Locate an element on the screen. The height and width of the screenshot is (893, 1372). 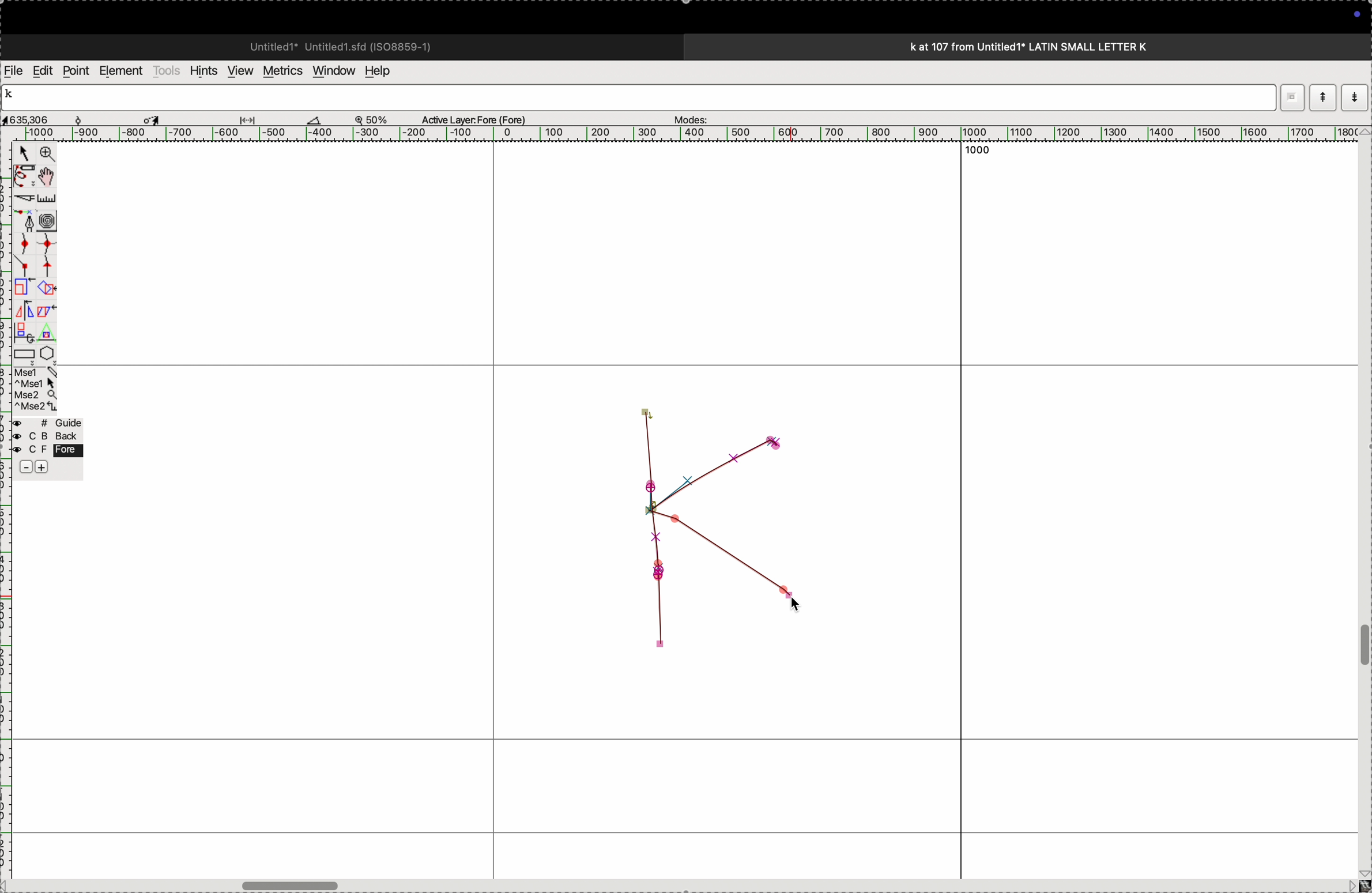
rectangle is located at coordinates (21, 352).